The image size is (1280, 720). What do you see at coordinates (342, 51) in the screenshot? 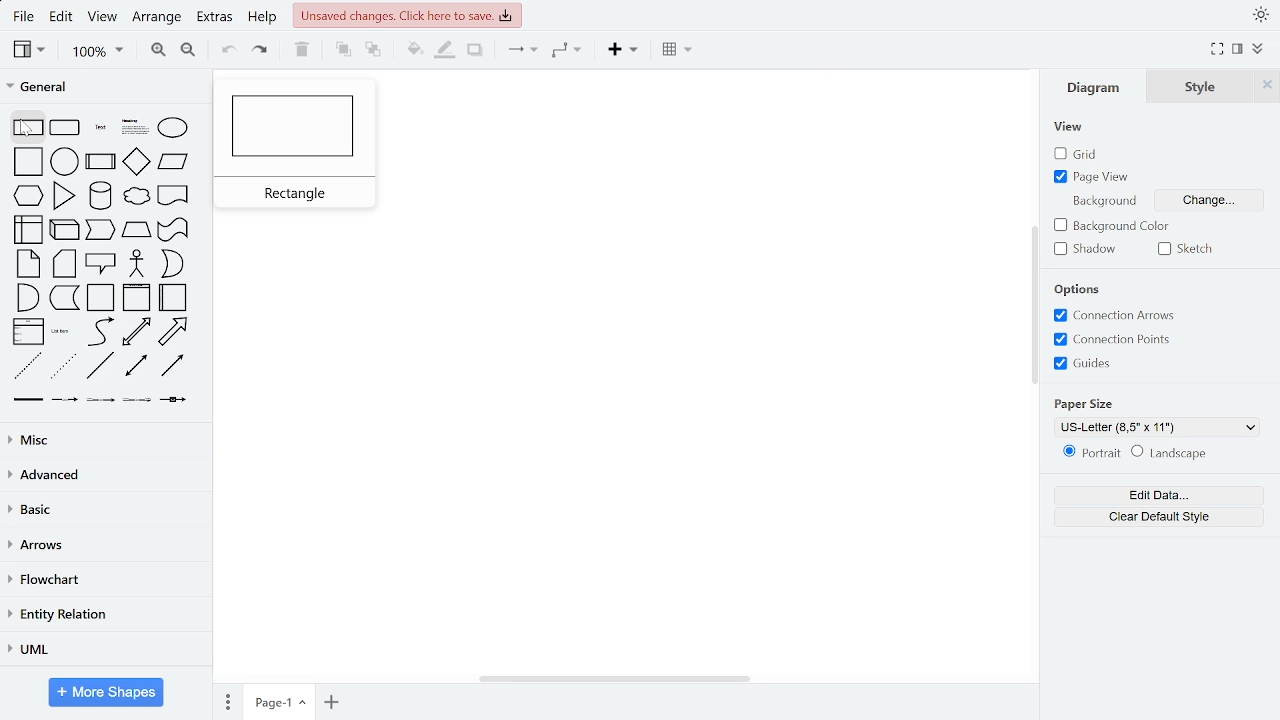
I see `to front` at bounding box center [342, 51].